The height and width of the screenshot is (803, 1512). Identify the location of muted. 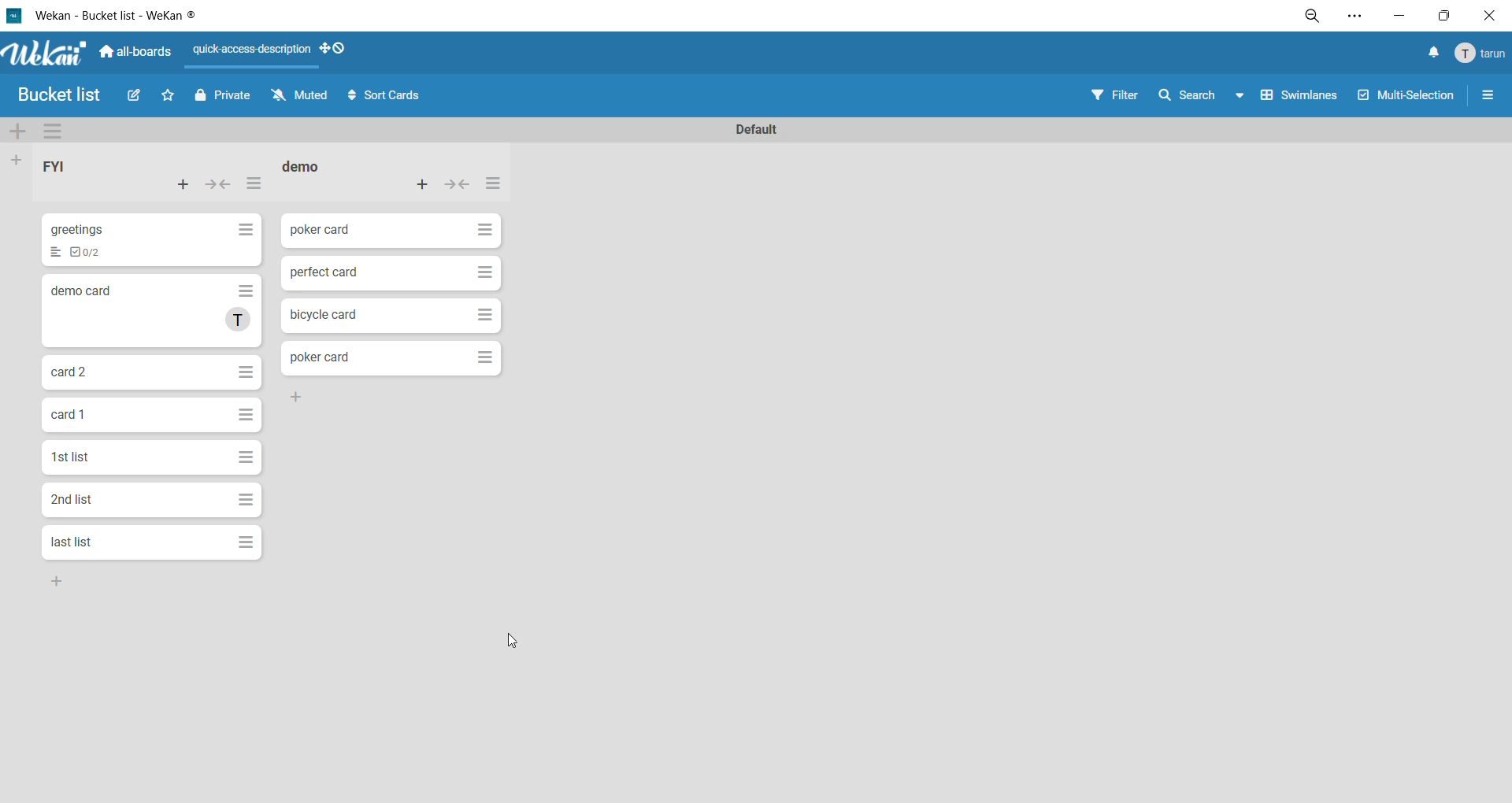
(302, 98).